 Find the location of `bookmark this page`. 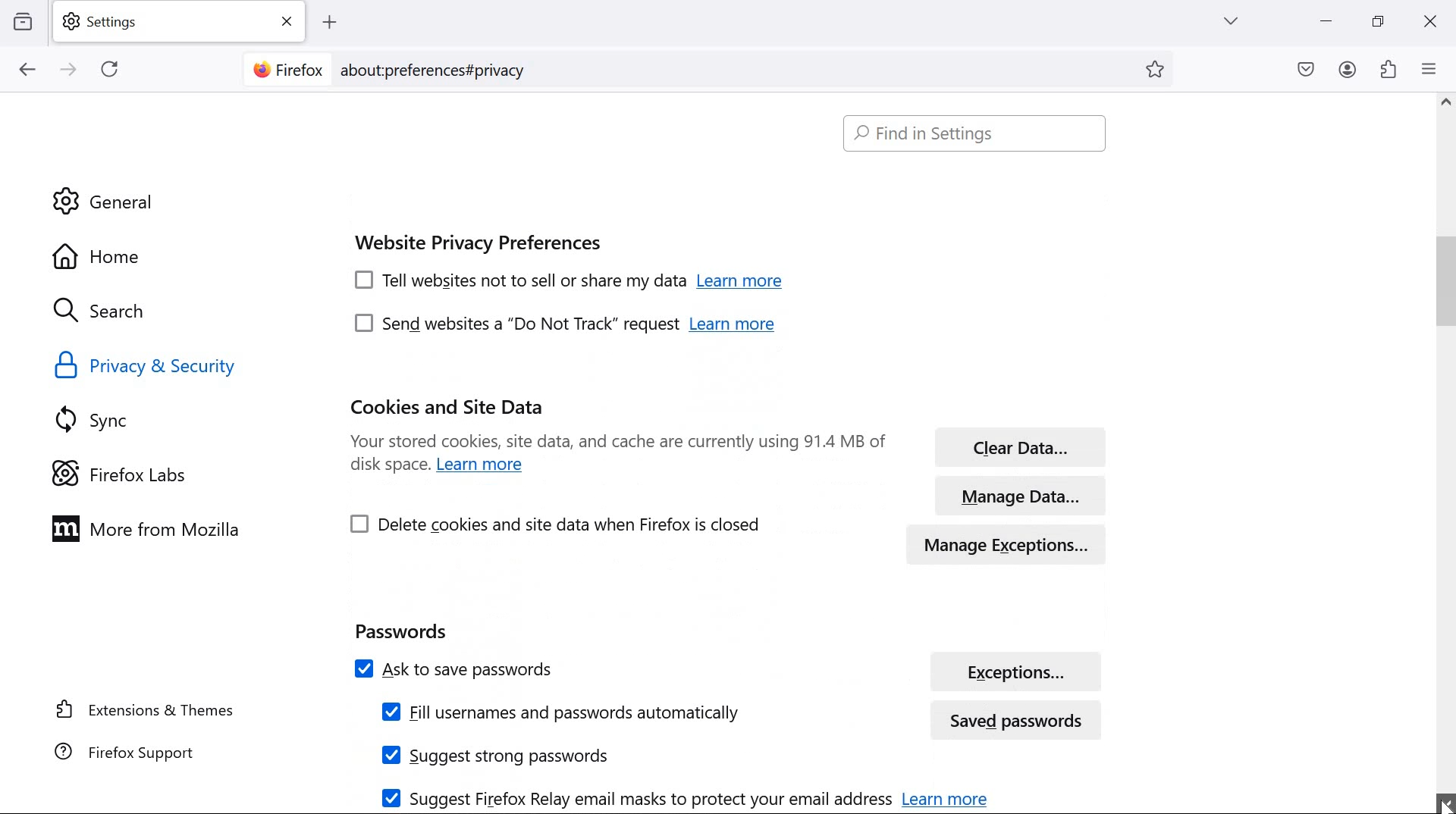

bookmark this page is located at coordinates (1160, 70).